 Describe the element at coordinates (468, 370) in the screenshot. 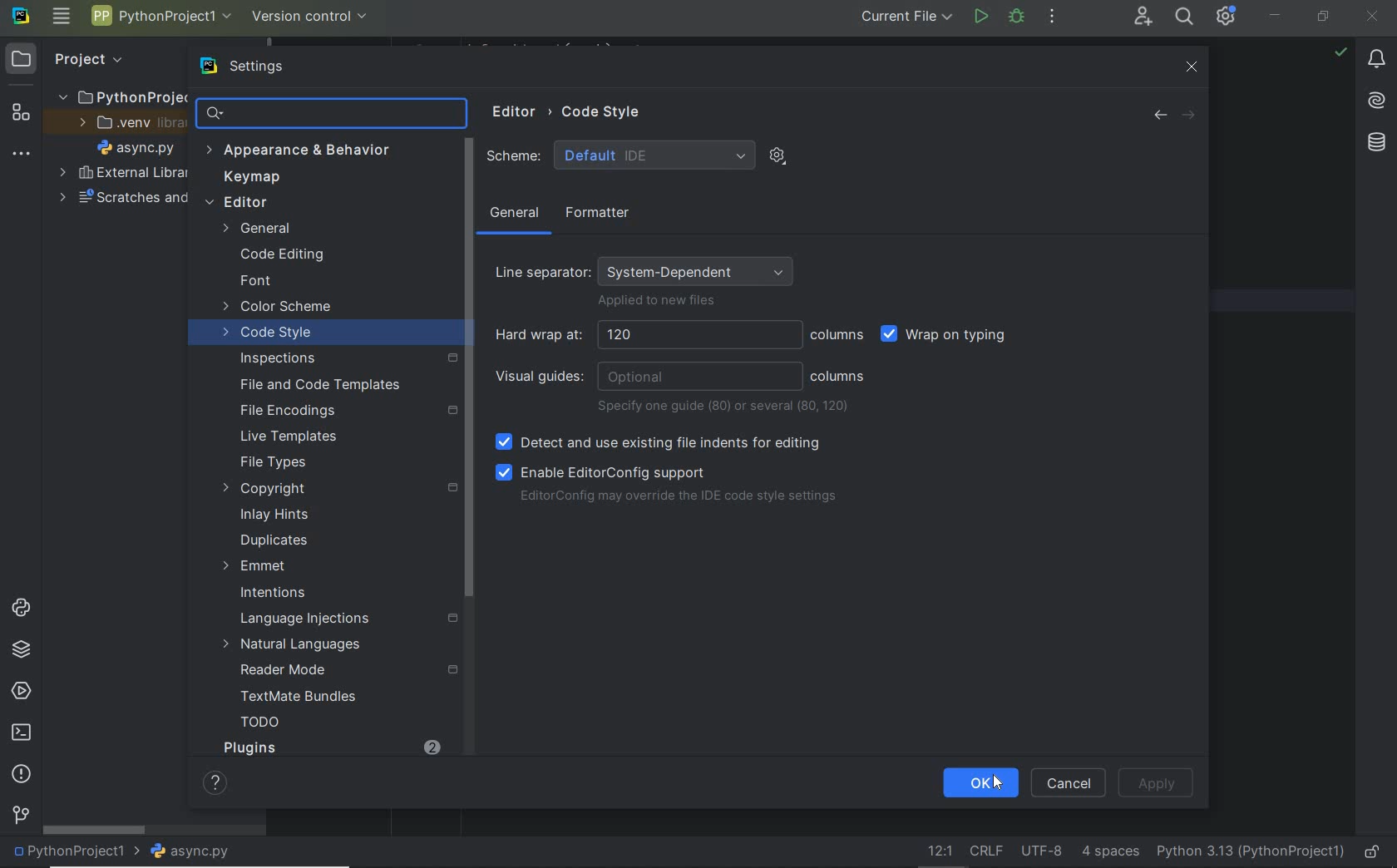

I see `Scroll Bar` at that location.